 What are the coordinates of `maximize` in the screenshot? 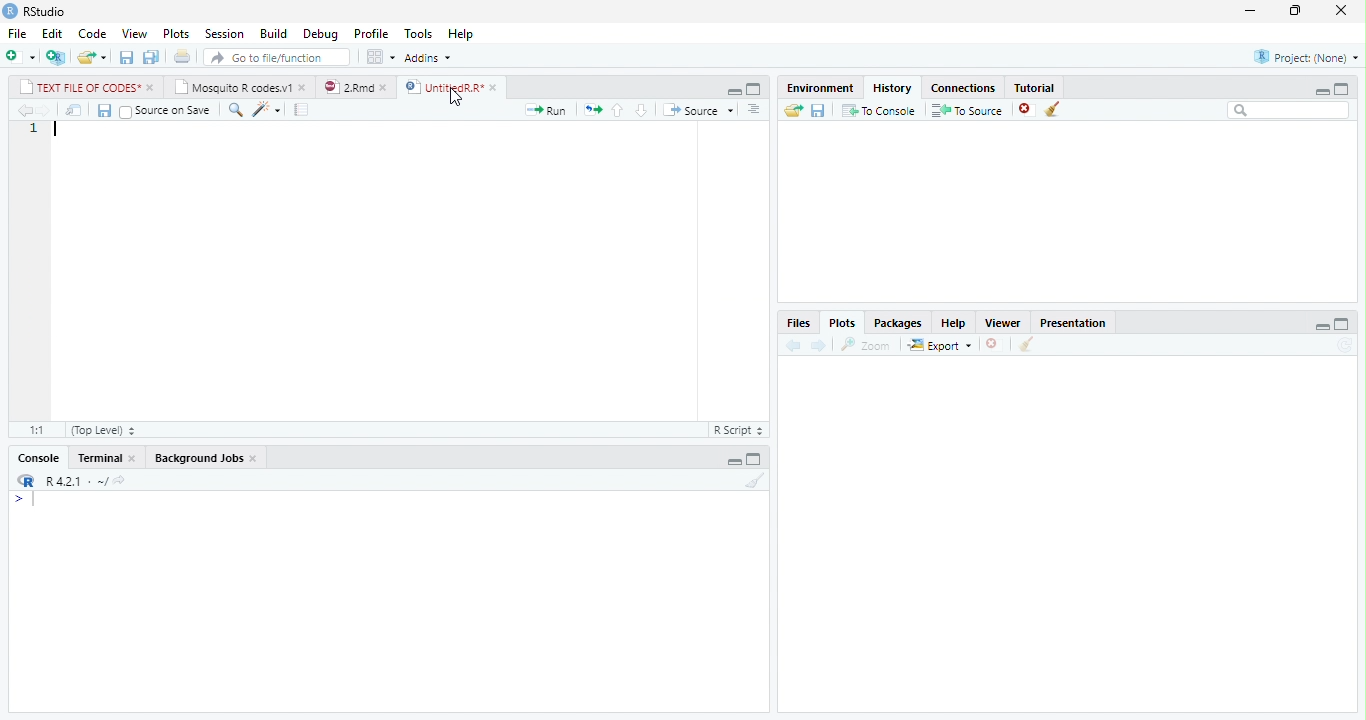 It's located at (754, 459).